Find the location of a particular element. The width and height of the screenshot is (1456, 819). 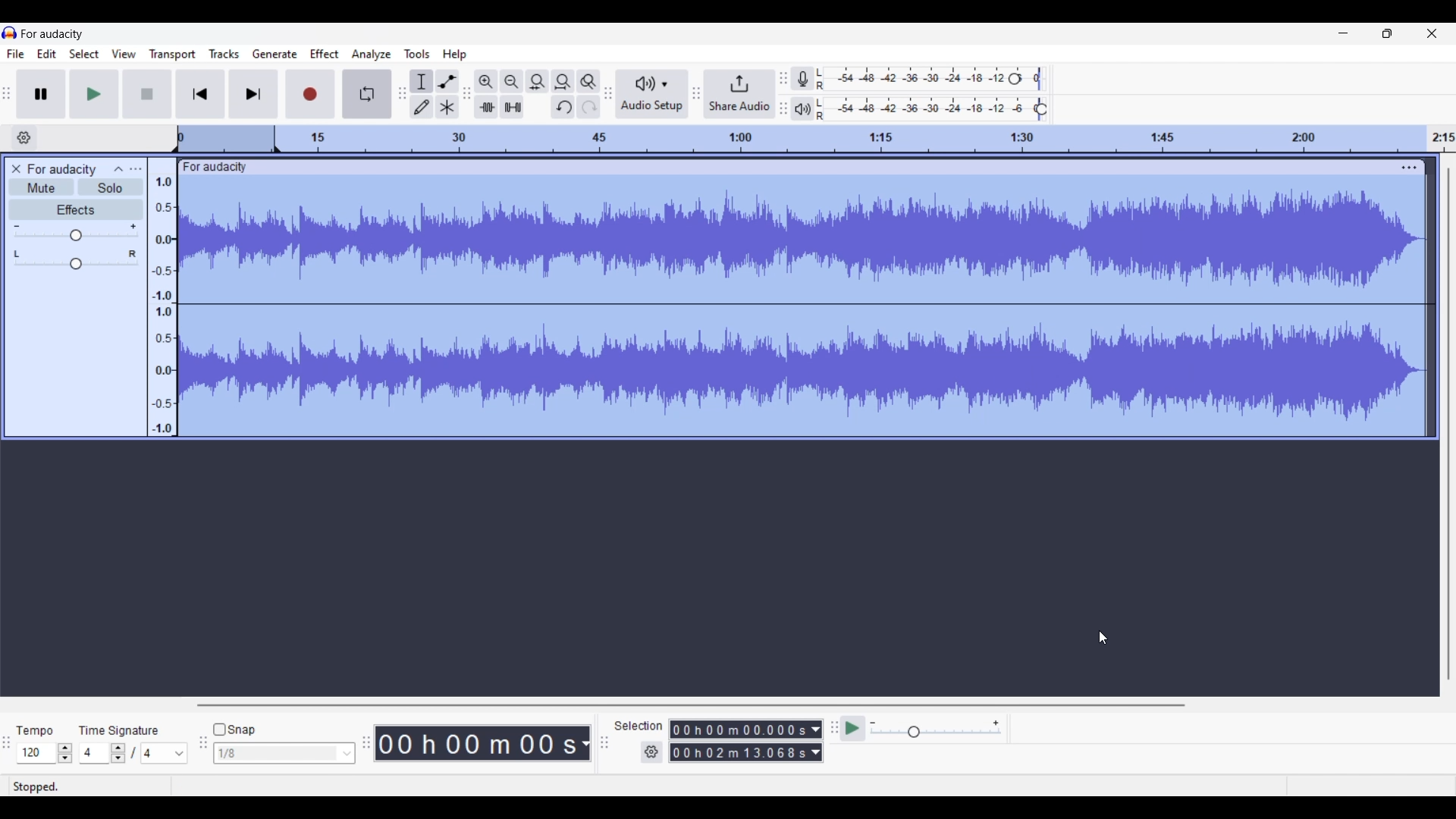

Generate menu is located at coordinates (275, 55).